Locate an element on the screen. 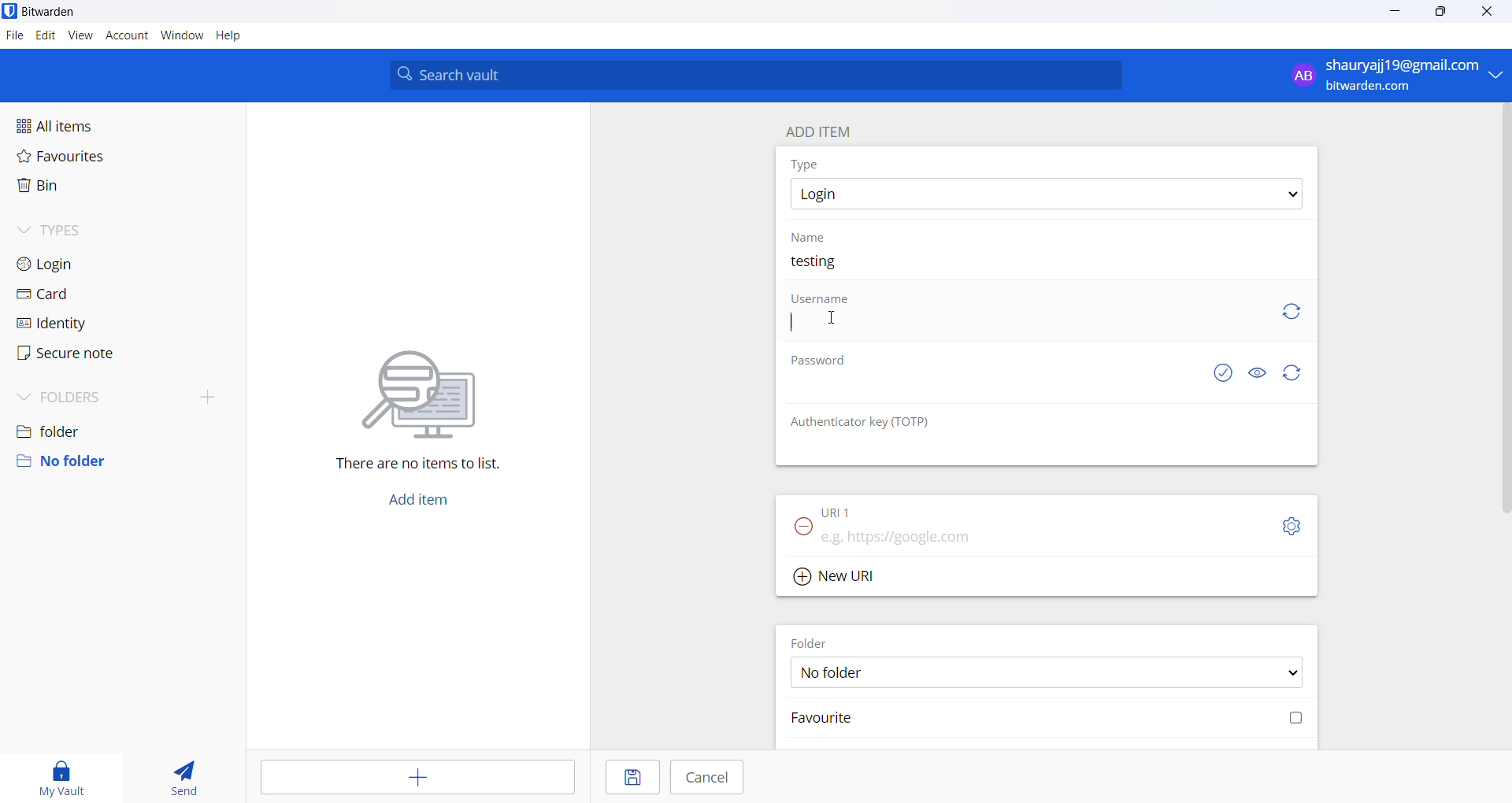 Image resolution: width=1512 pixels, height=803 pixels. type options is located at coordinates (1045, 194).